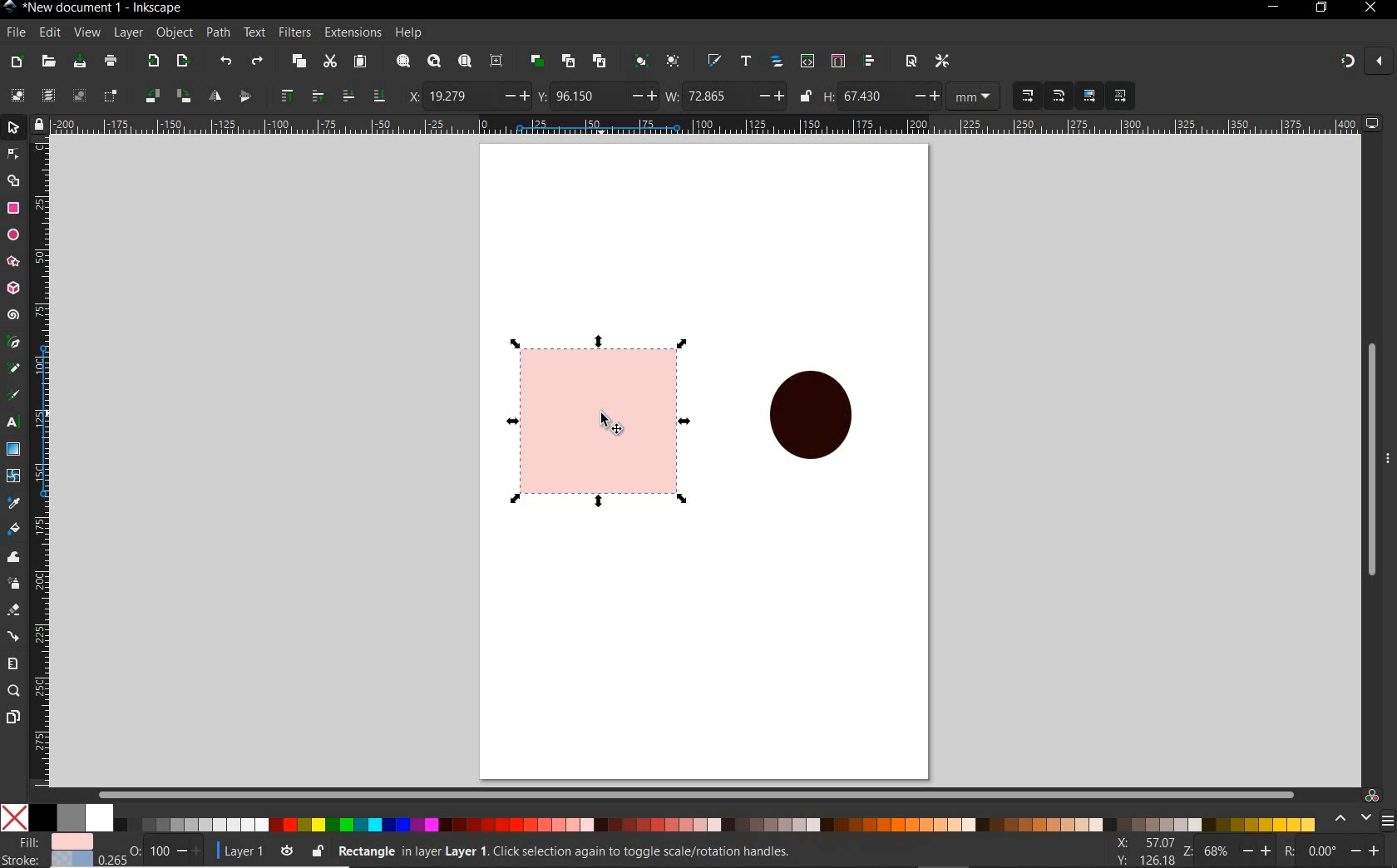 The image size is (1397, 868). Describe the element at coordinates (360, 62) in the screenshot. I see `paste` at that location.